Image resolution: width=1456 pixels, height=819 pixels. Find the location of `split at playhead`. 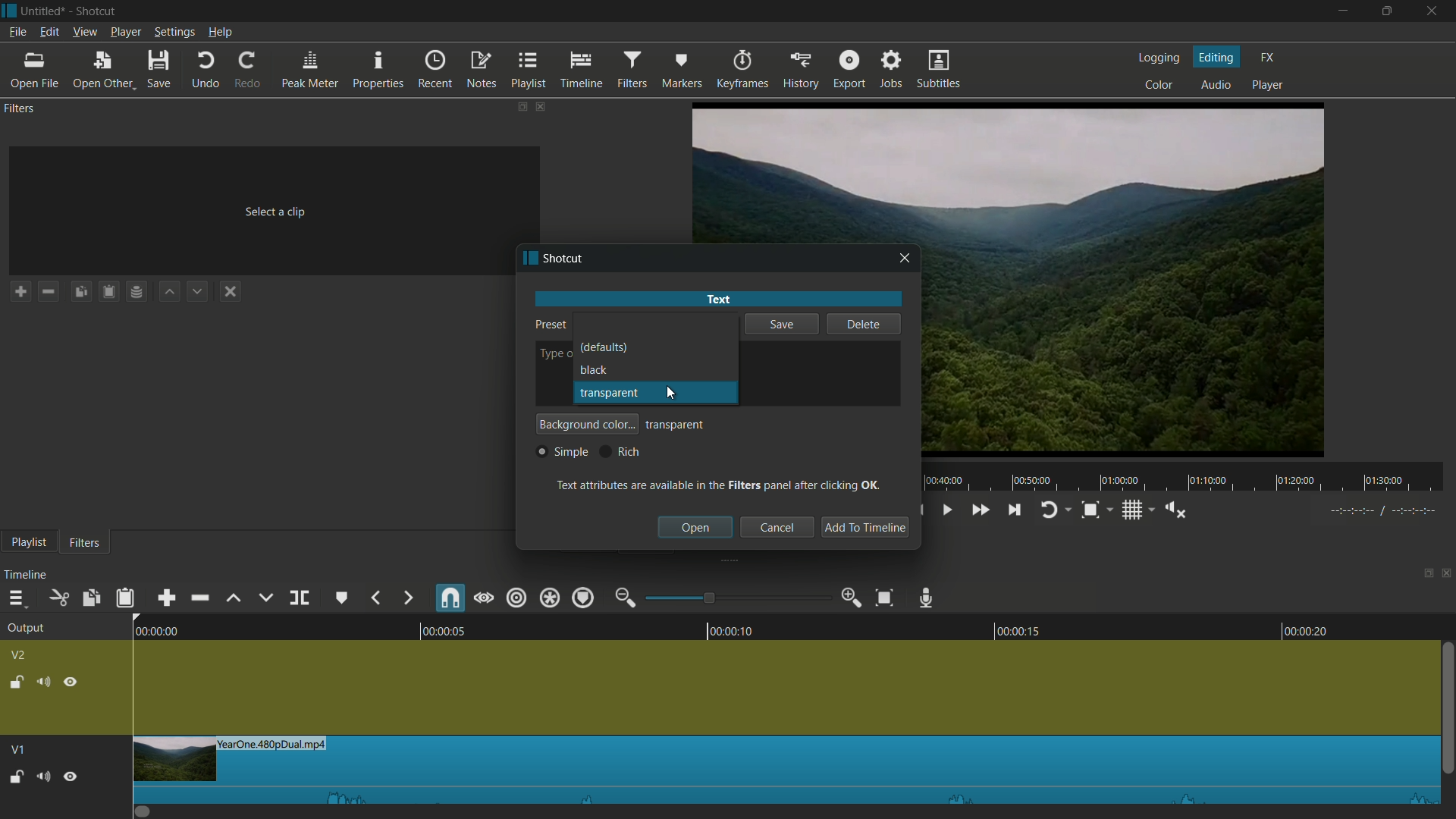

split at playhead is located at coordinates (299, 598).